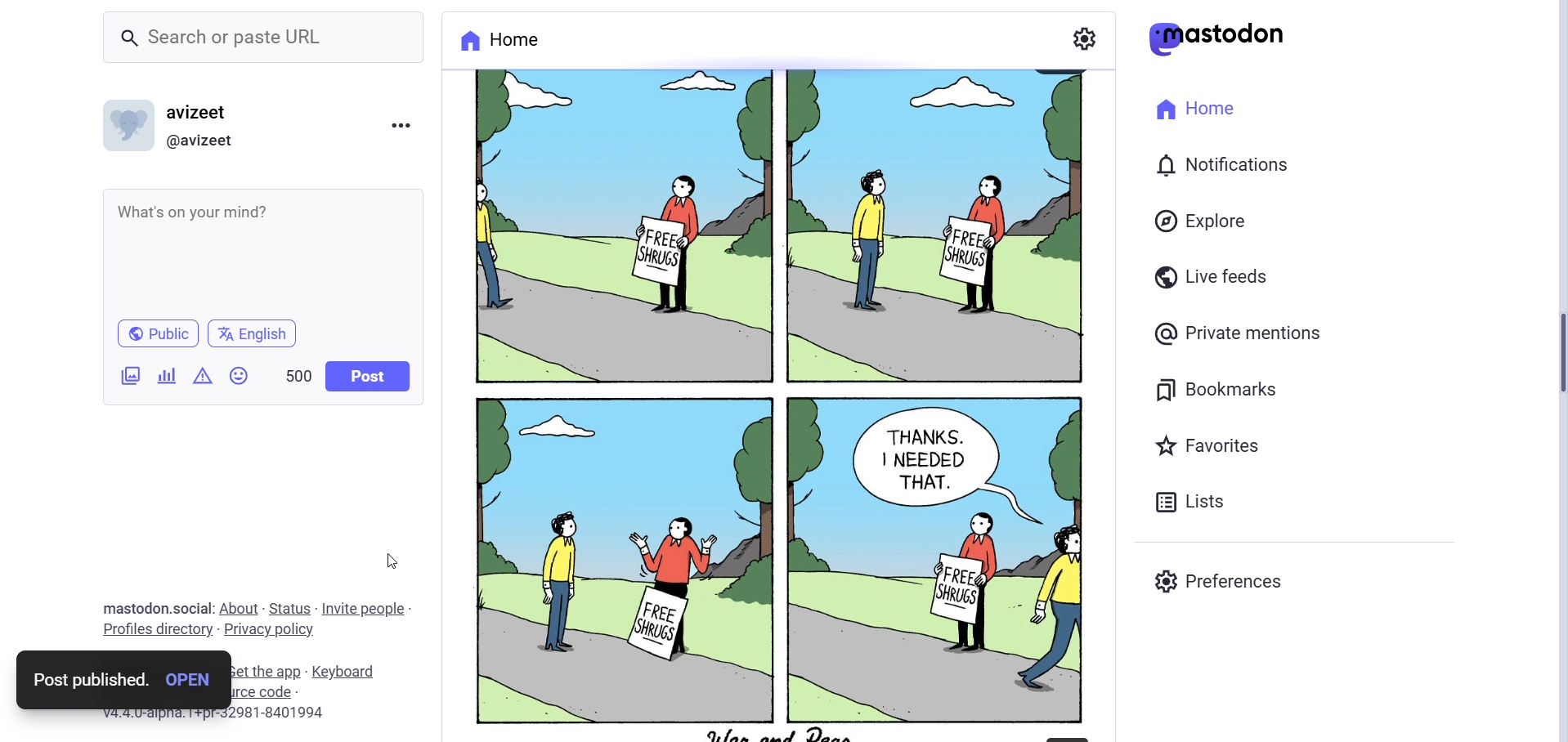  What do you see at coordinates (370, 376) in the screenshot?
I see `Post` at bounding box center [370, 376].